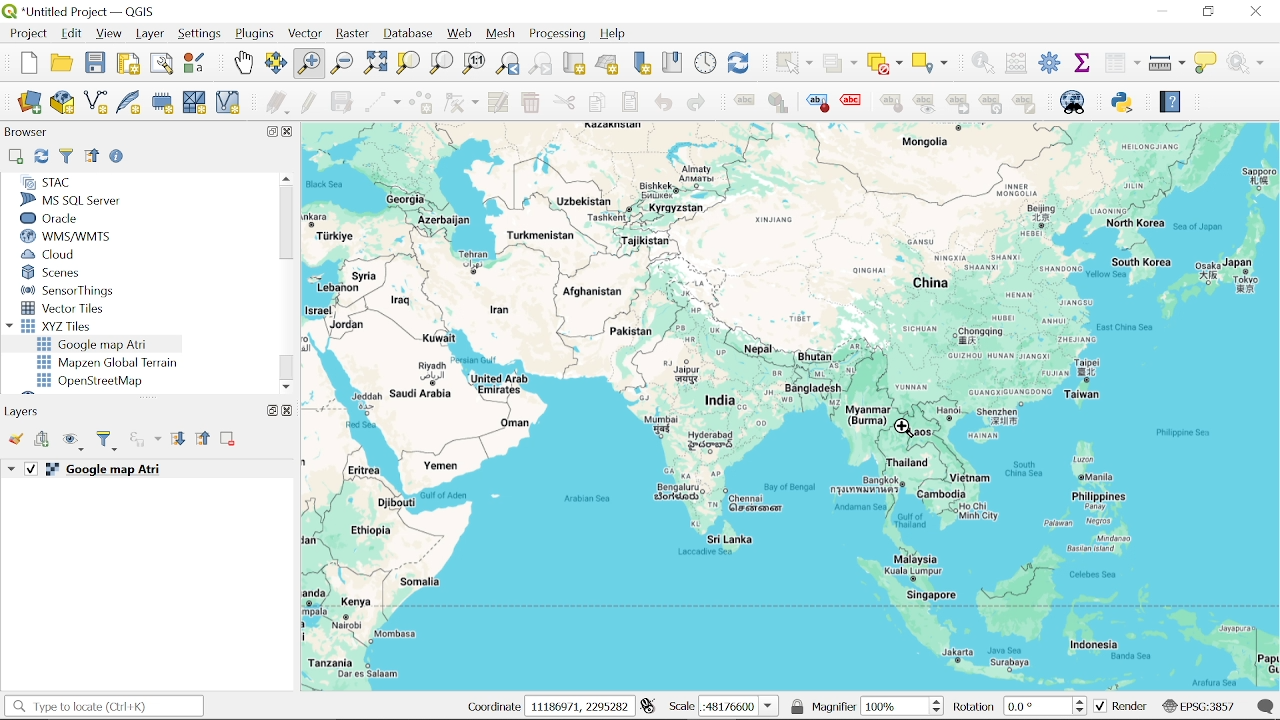  What do you see at coordinates (14, 157) in the screenshot?
I see `Add selected layer` at bounding box center [14, 157].